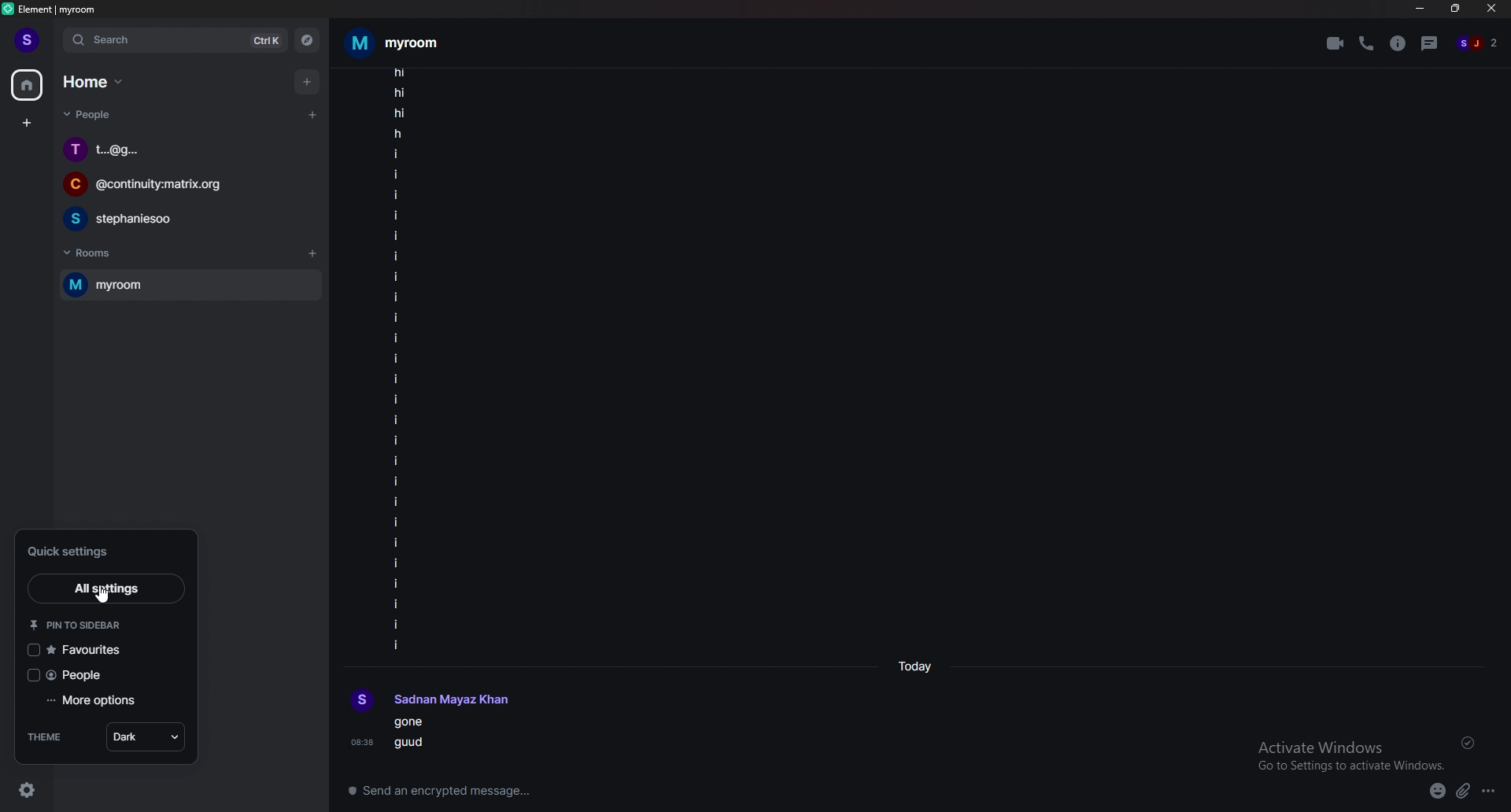 The width and height of the screenshot is (1511, 812). I want to click on settings, so click(30, 789).